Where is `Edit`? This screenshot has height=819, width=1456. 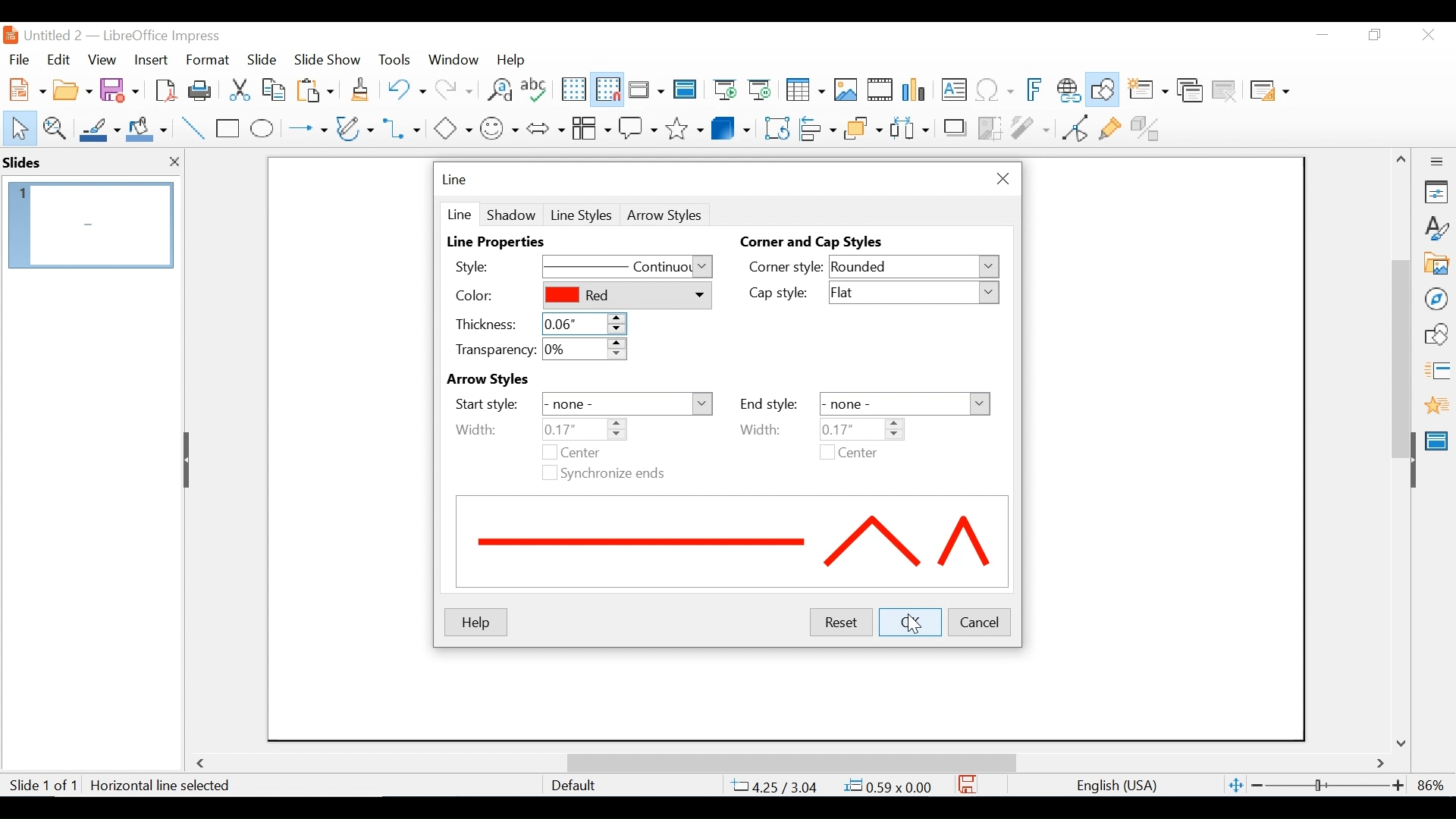
Edit is located at coordinates (57, 60).